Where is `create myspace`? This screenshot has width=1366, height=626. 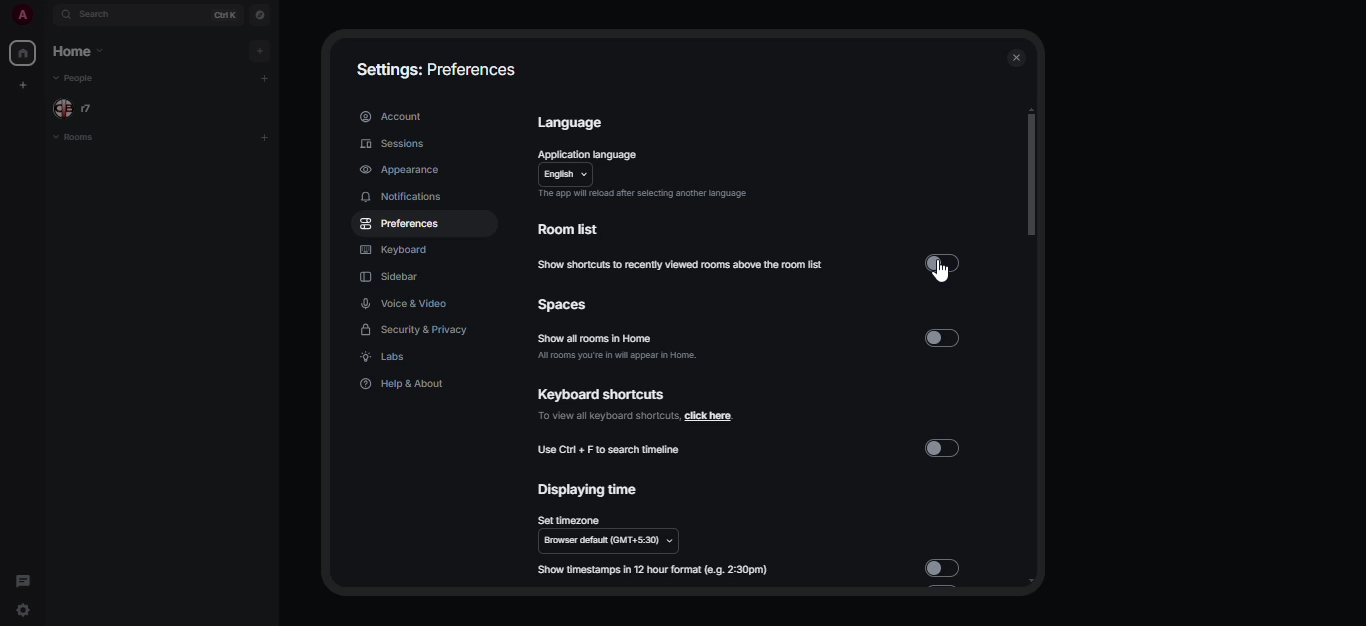 create myspace is located at coordinates (25, 85).